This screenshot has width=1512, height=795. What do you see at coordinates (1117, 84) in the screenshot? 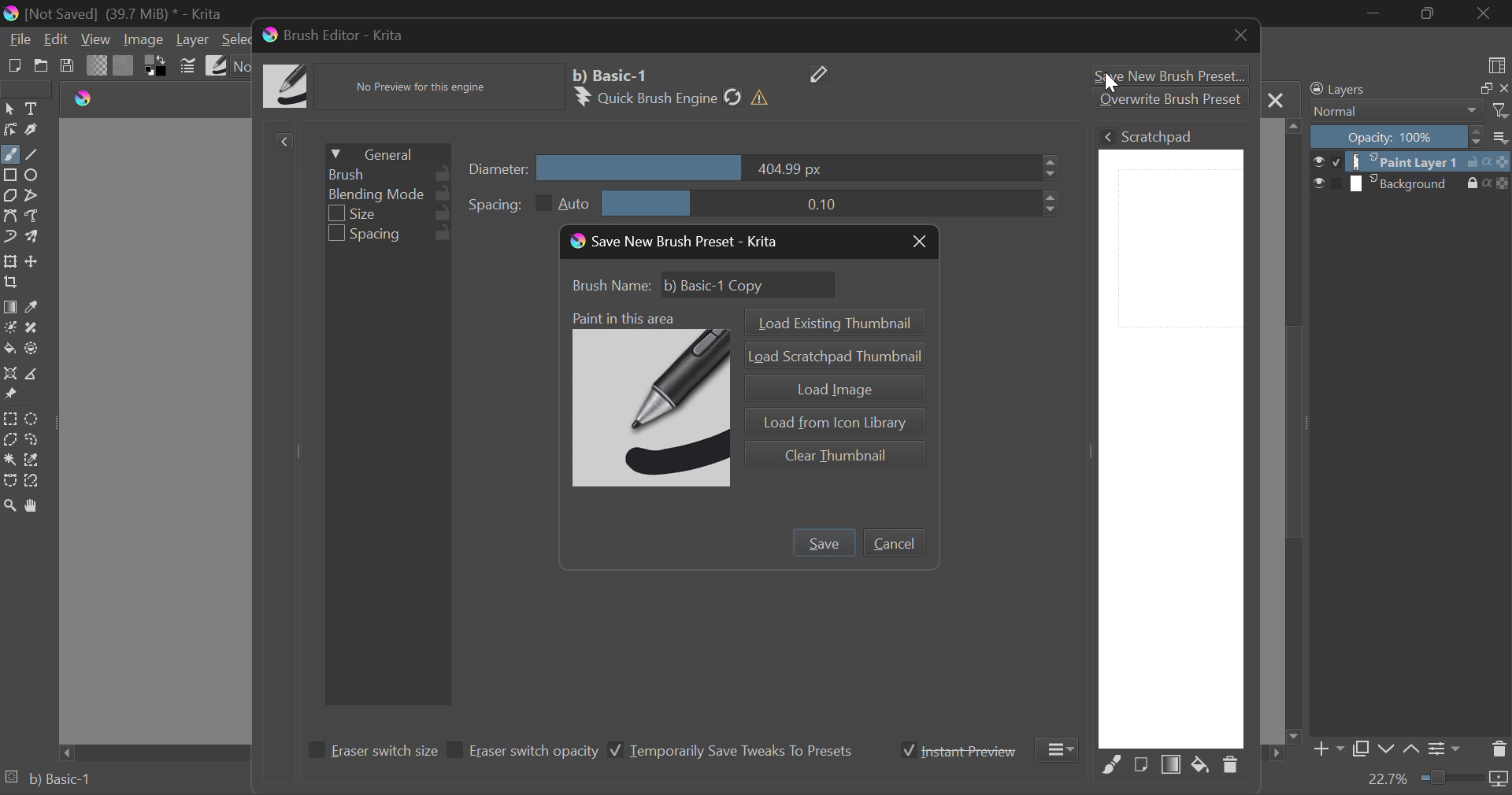
I see `cursor` at bounding box center [1117, 84].